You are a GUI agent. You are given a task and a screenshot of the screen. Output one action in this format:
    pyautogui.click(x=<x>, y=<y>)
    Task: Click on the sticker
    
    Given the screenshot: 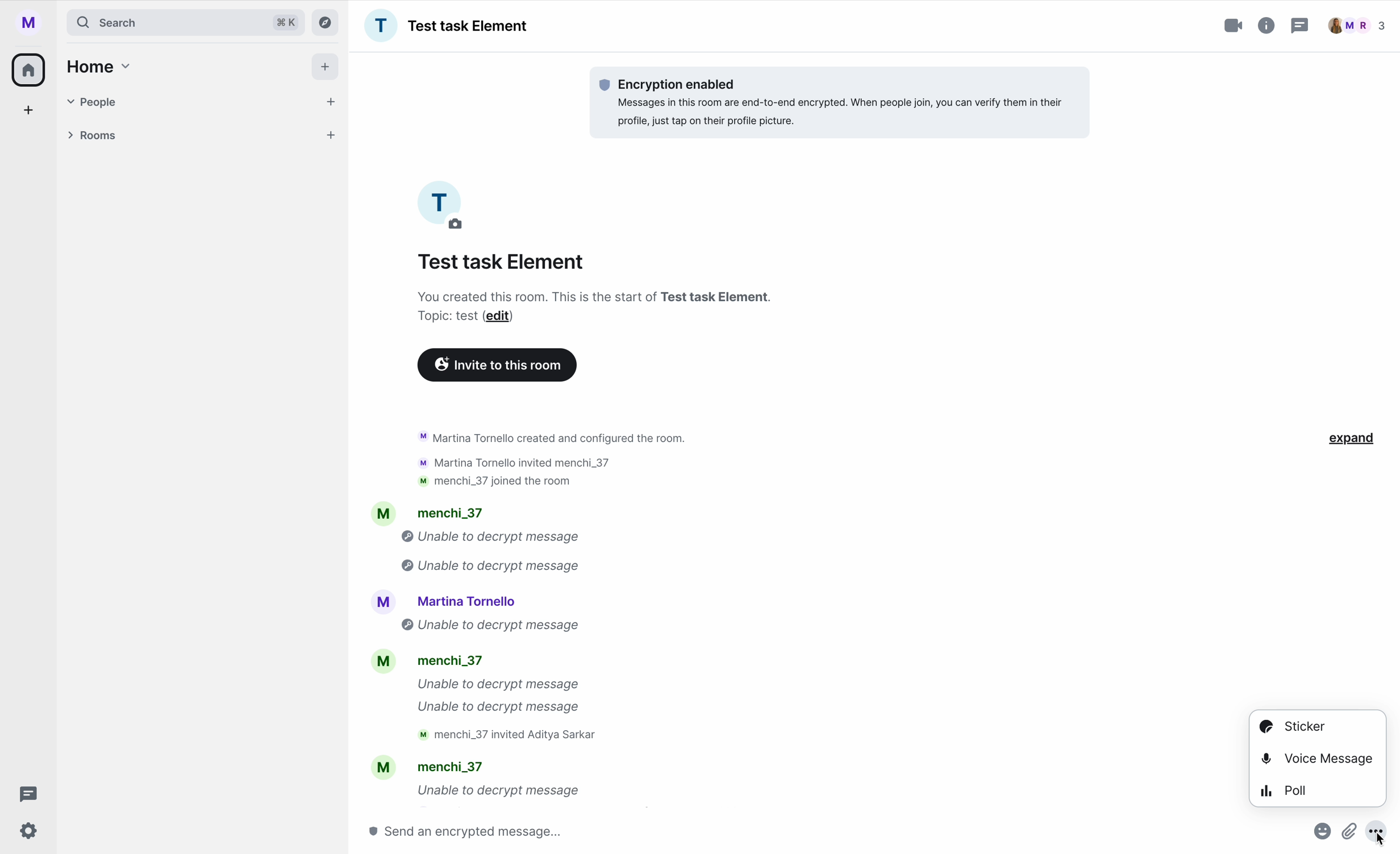 What is the action you would take?
    pyautogui.click(x=1291, y=726)
    